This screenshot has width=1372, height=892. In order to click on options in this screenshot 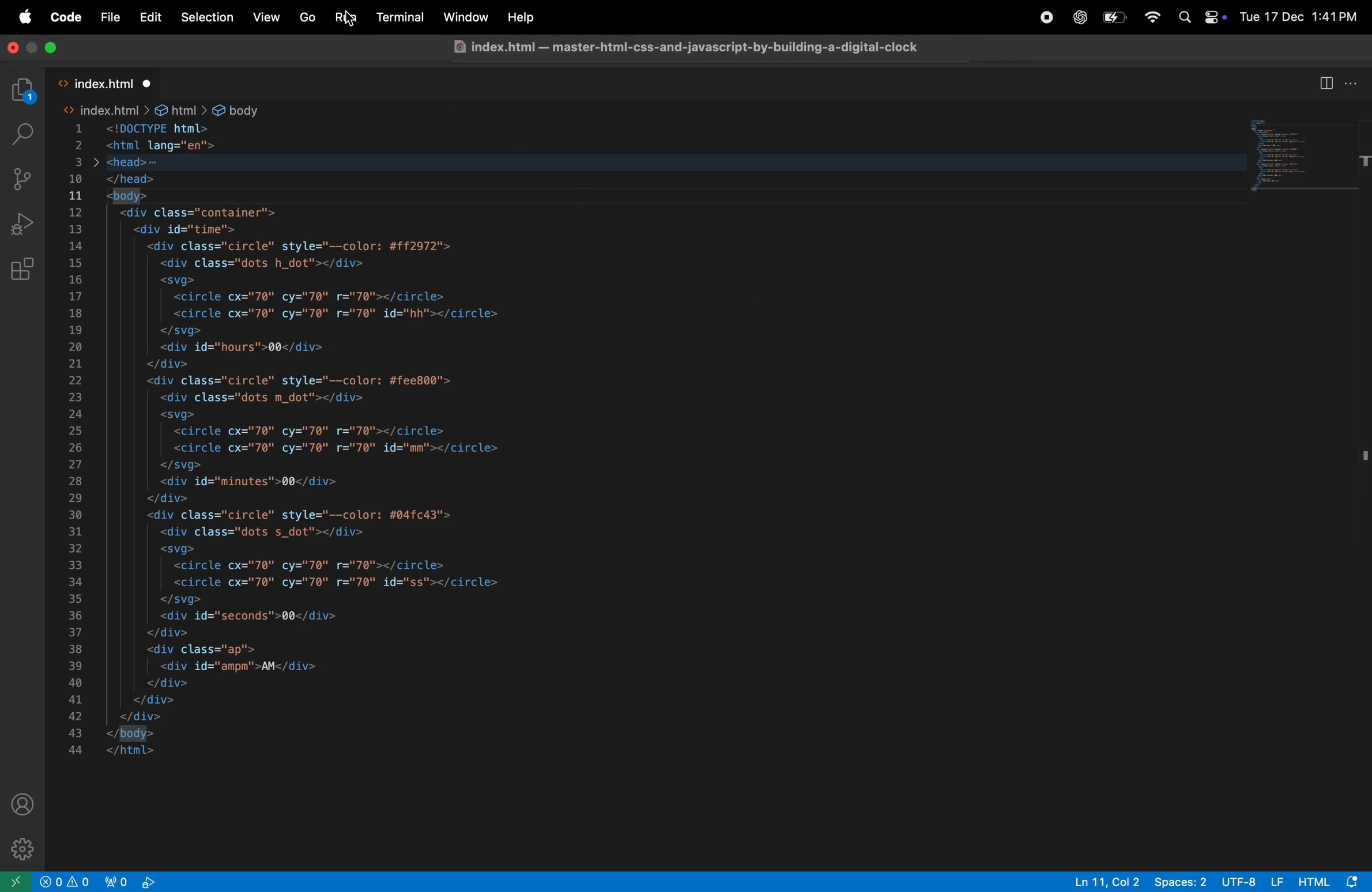, I will do `click(1354, 82)`.